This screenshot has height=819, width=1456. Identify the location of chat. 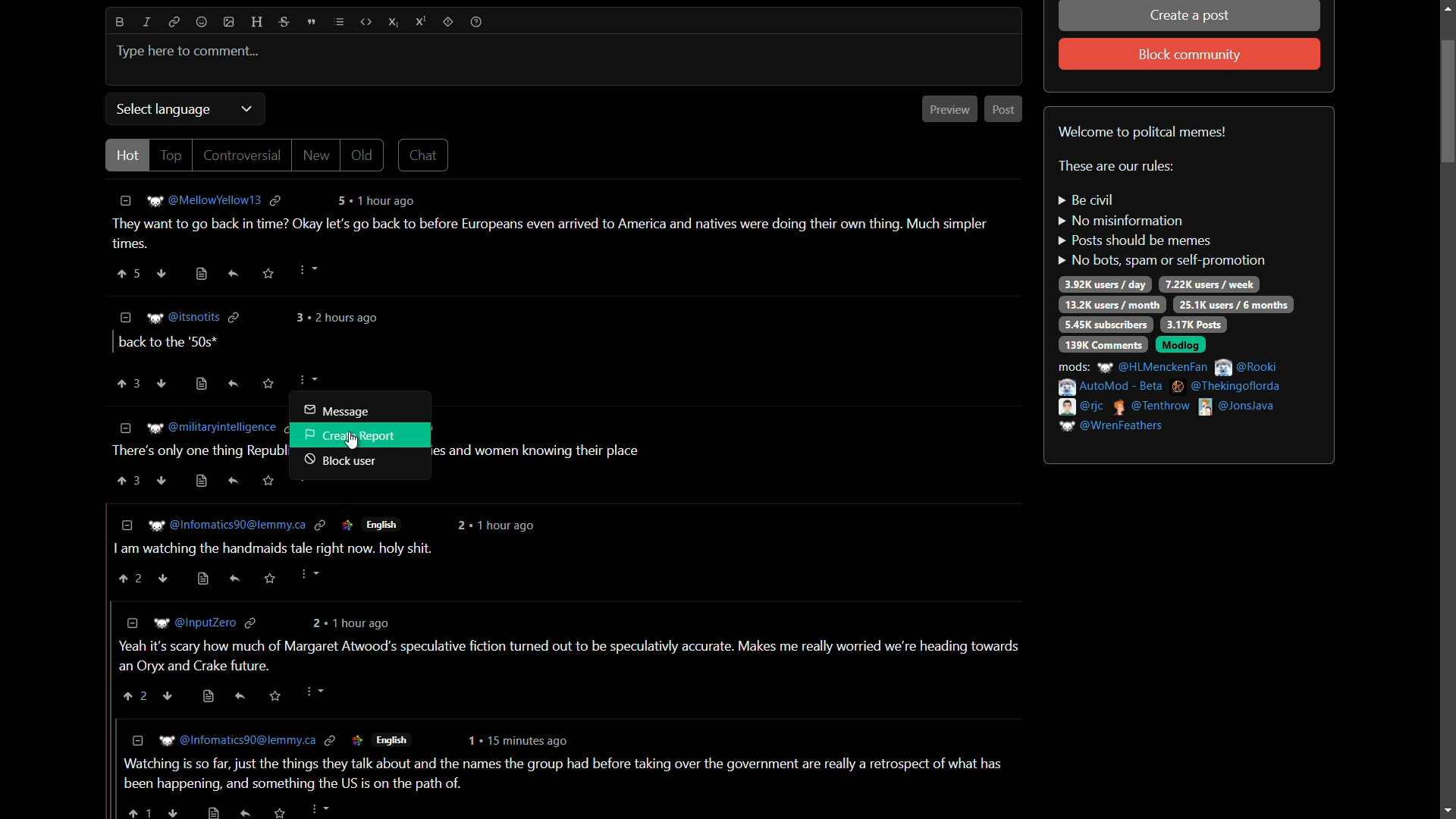
(424, 155).